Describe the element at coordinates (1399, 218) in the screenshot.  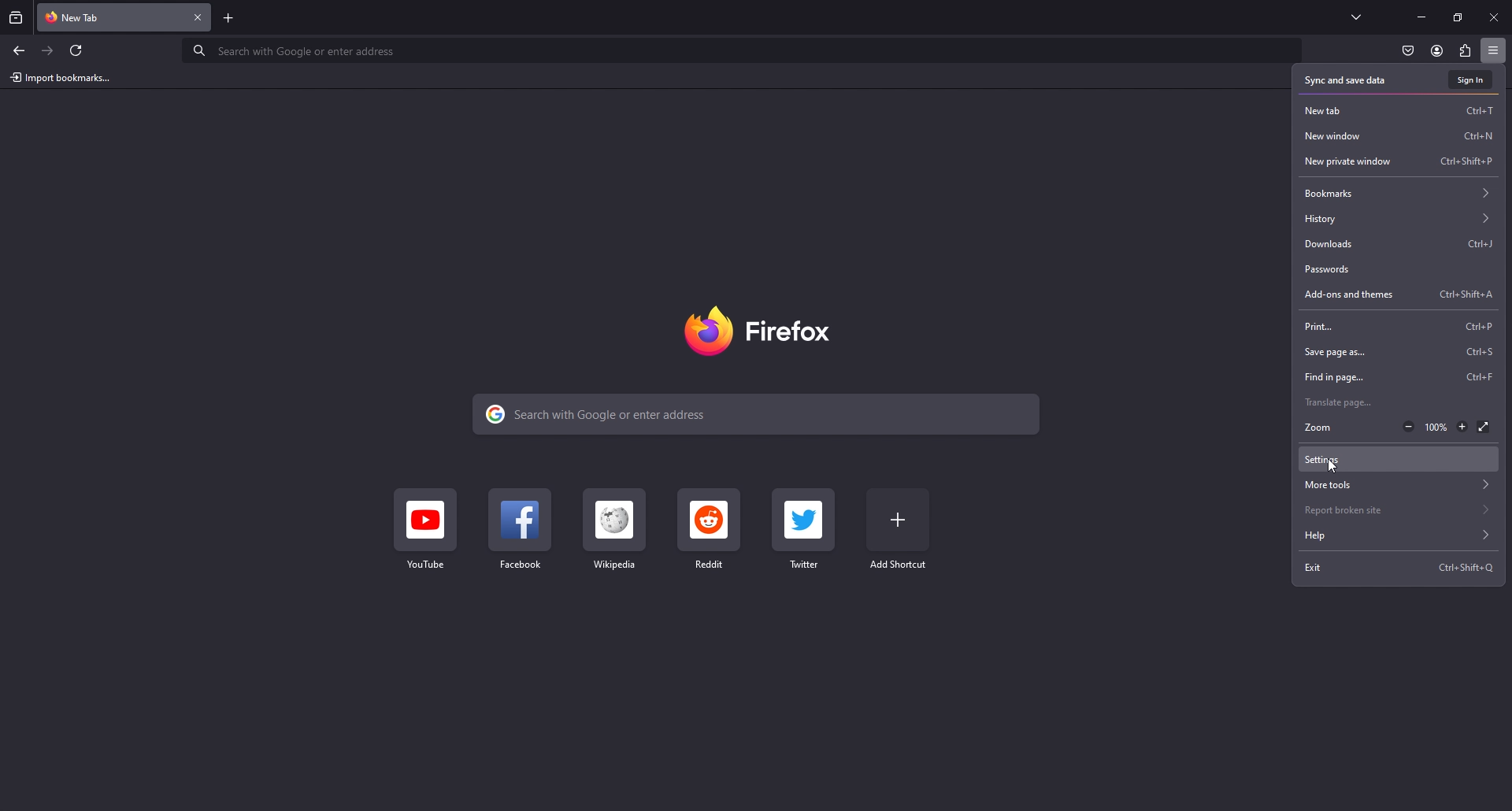
I see `history` at that location.